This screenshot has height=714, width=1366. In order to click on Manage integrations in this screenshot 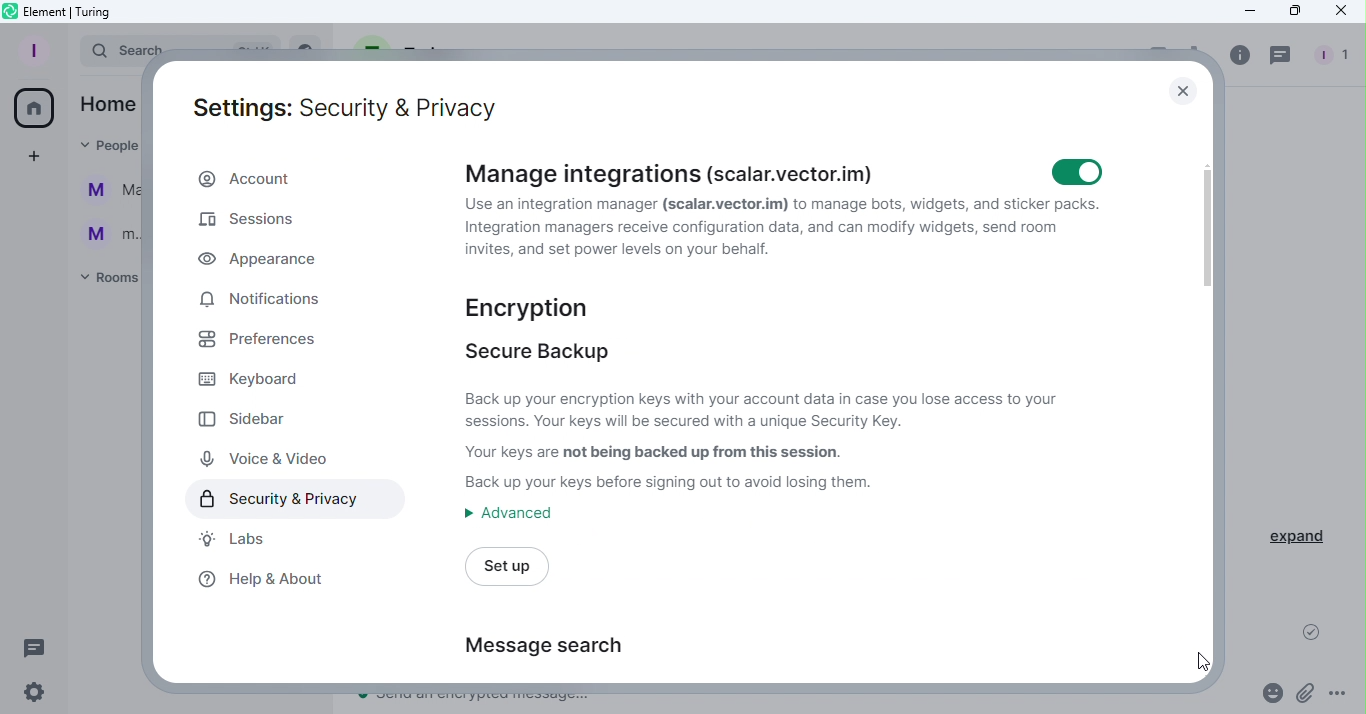, I will do `click(781, 232)`.